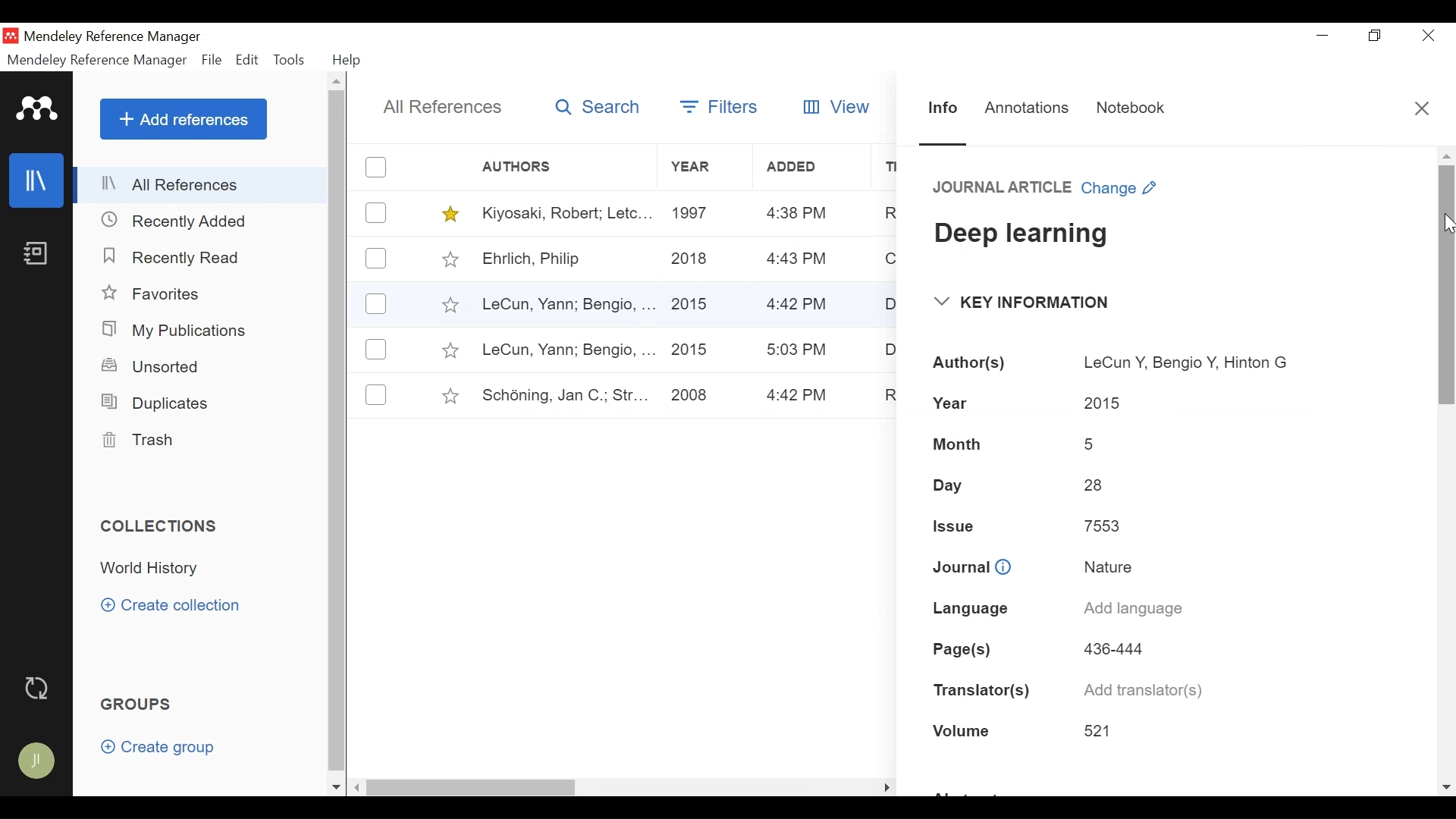 The width and height of the screenshot is (1456, 819). Describe the element at coordinates (943, 108) in the screenshot. I see `Information` at that location.